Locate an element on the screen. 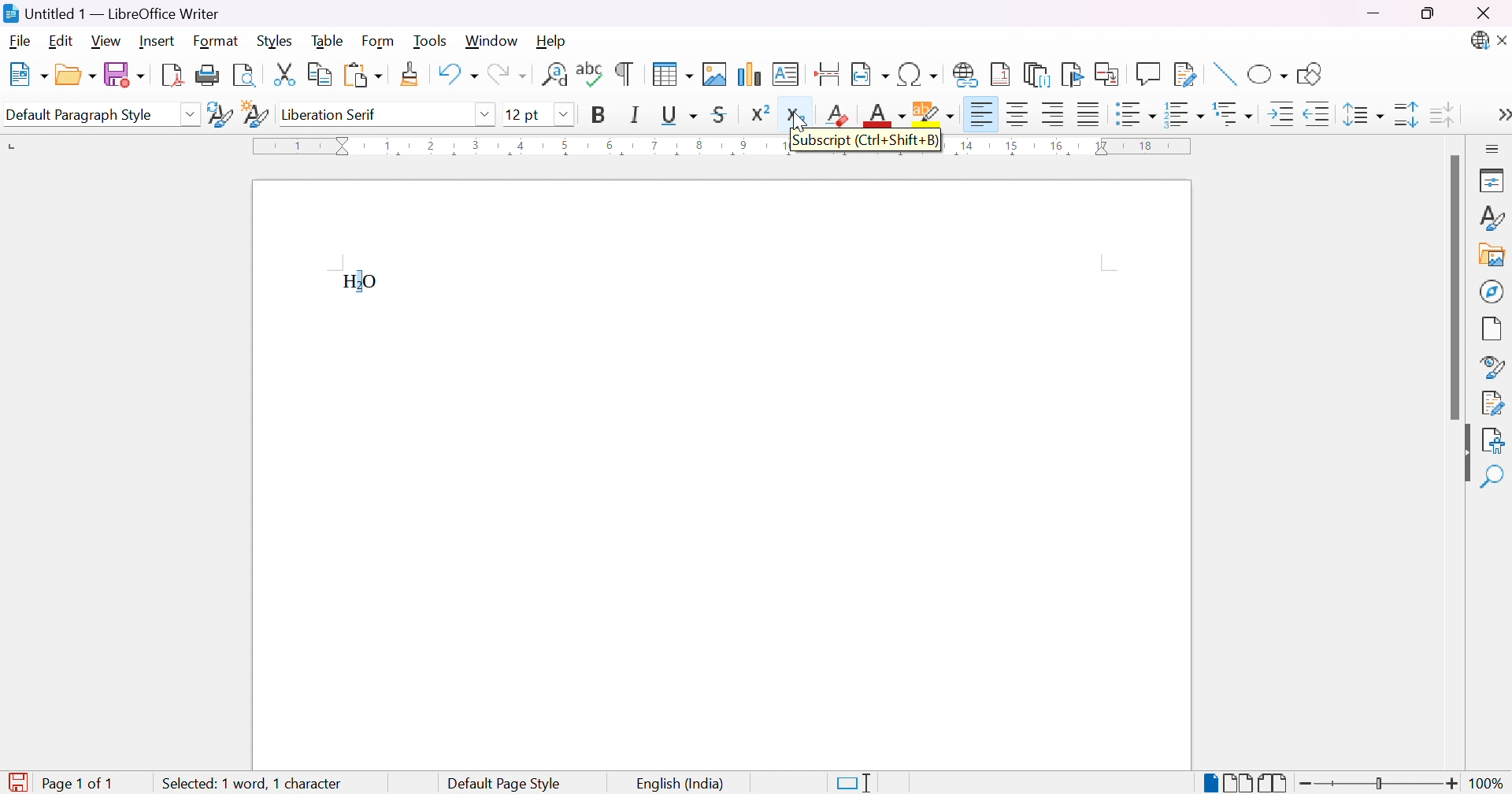  Drop down is located at coordinates (485, 113).